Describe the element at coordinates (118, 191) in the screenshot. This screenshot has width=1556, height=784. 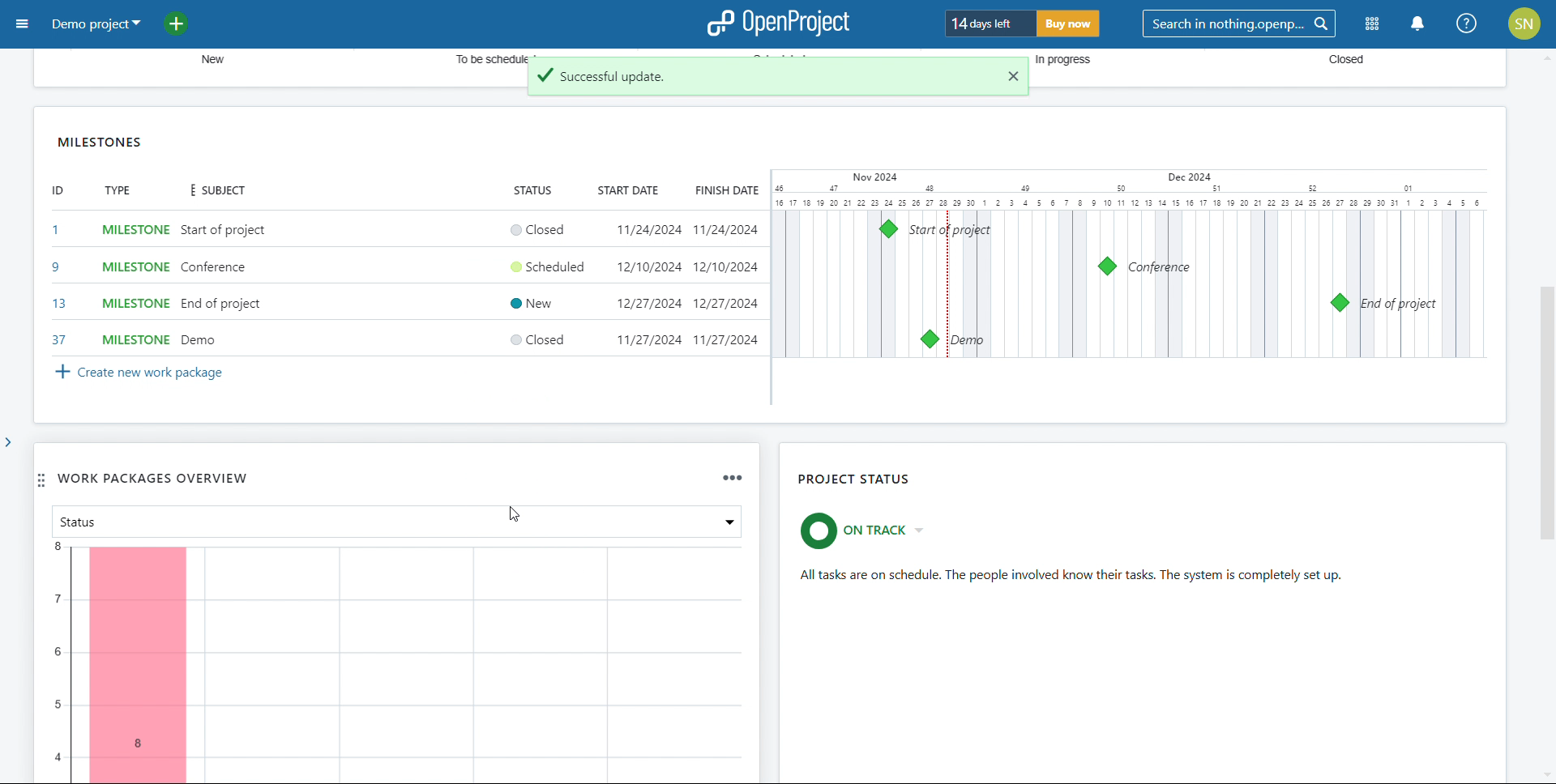
I see `type` at that location.